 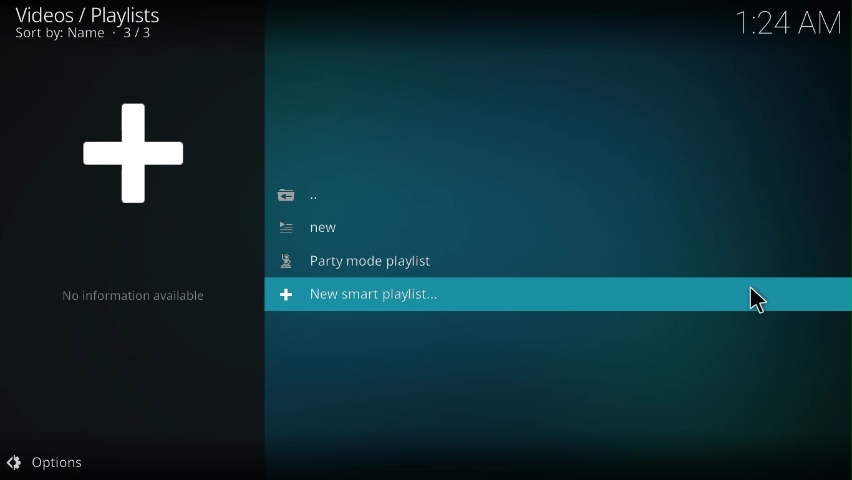 I want to click on videos, so click(x=92, y=14).